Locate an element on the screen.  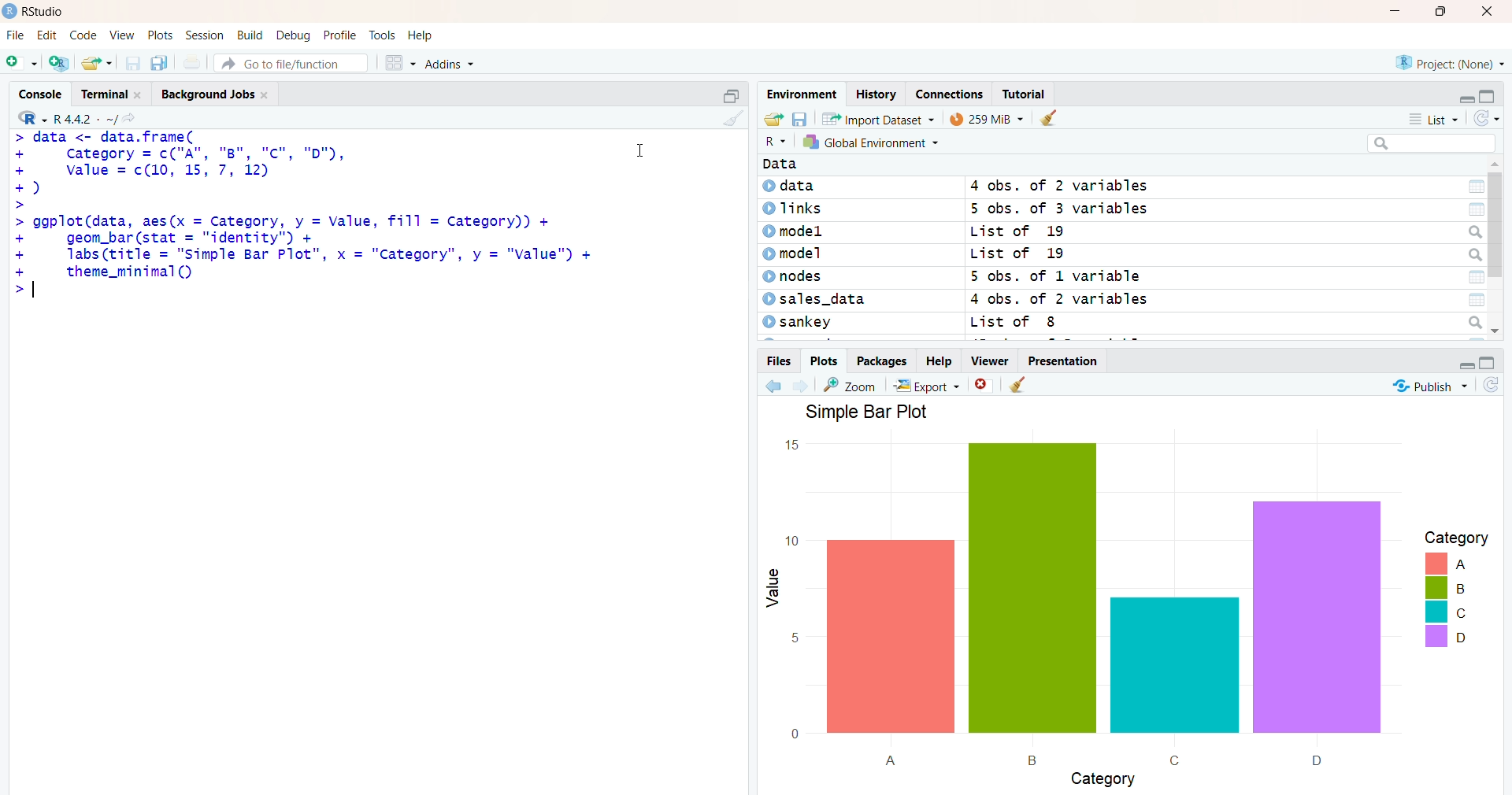
global environment is located at coordinates (876, 142).